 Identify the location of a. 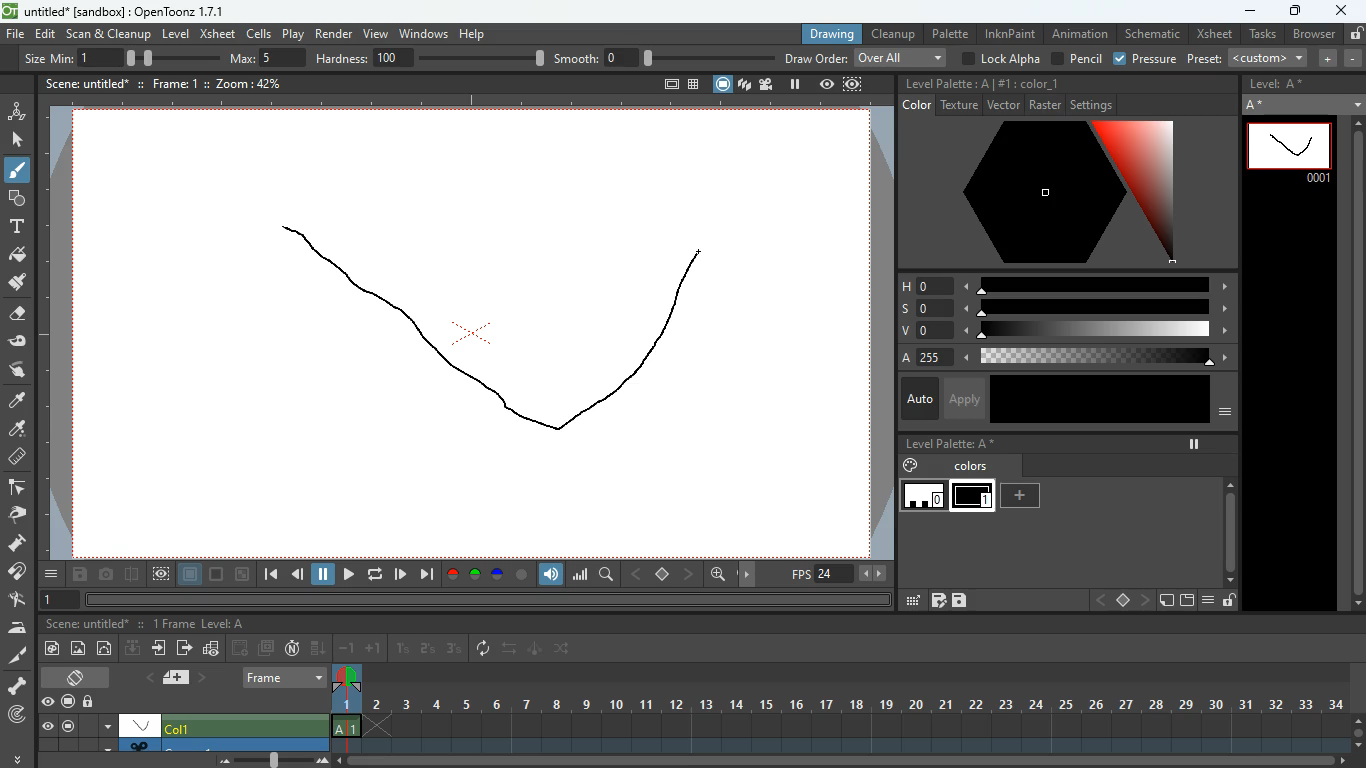
(18, 401).